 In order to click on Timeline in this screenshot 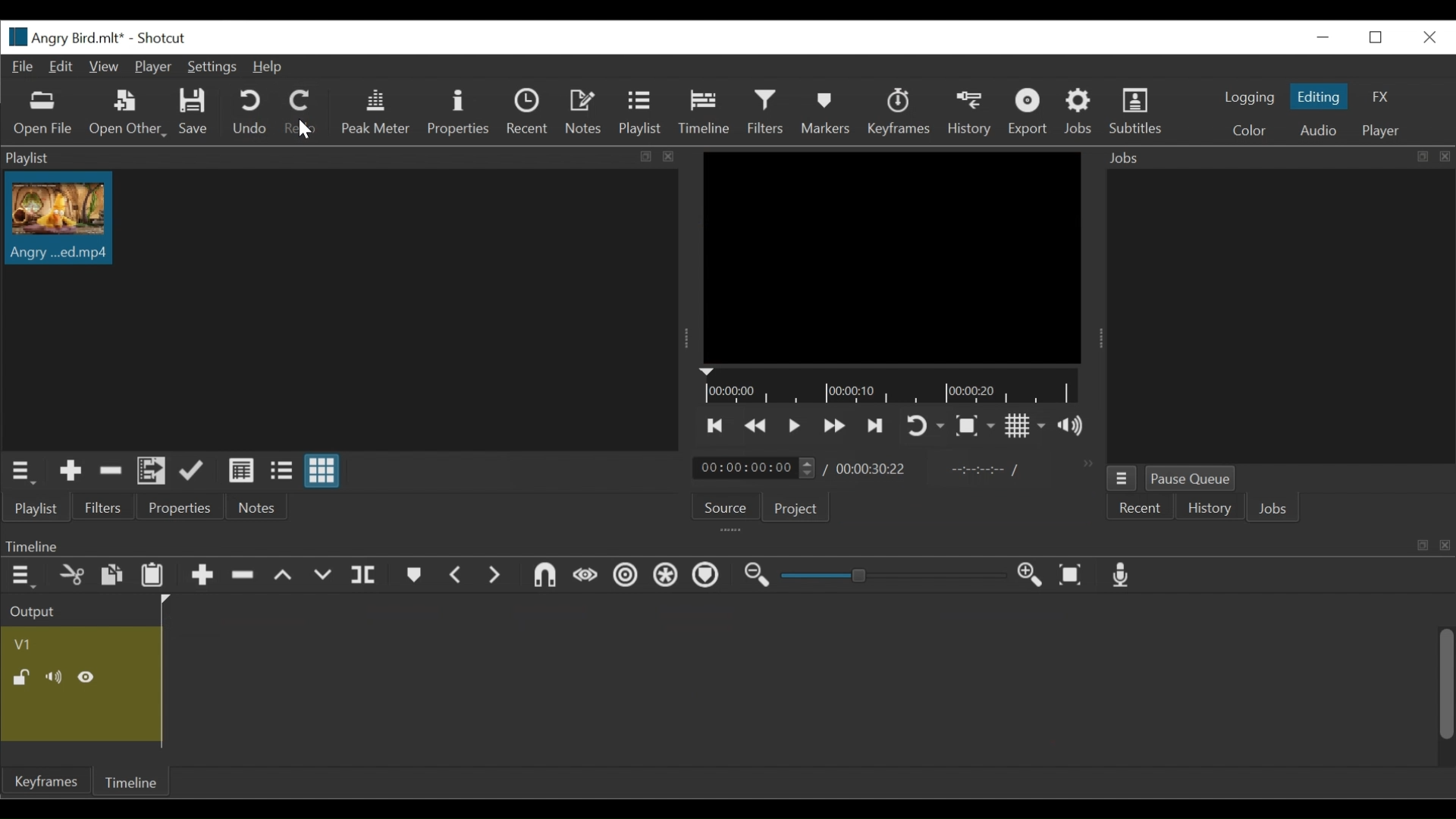, I will do `click(890, 387)`.